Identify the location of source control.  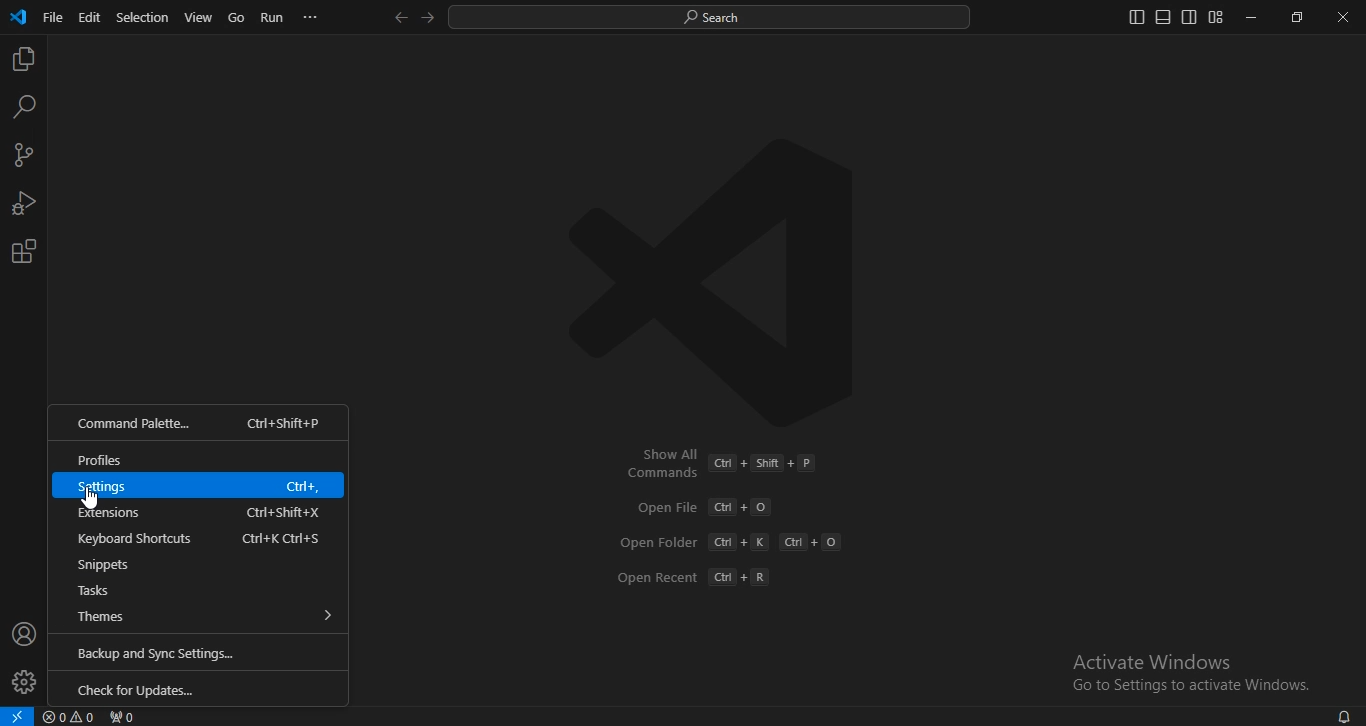
(22, 157).